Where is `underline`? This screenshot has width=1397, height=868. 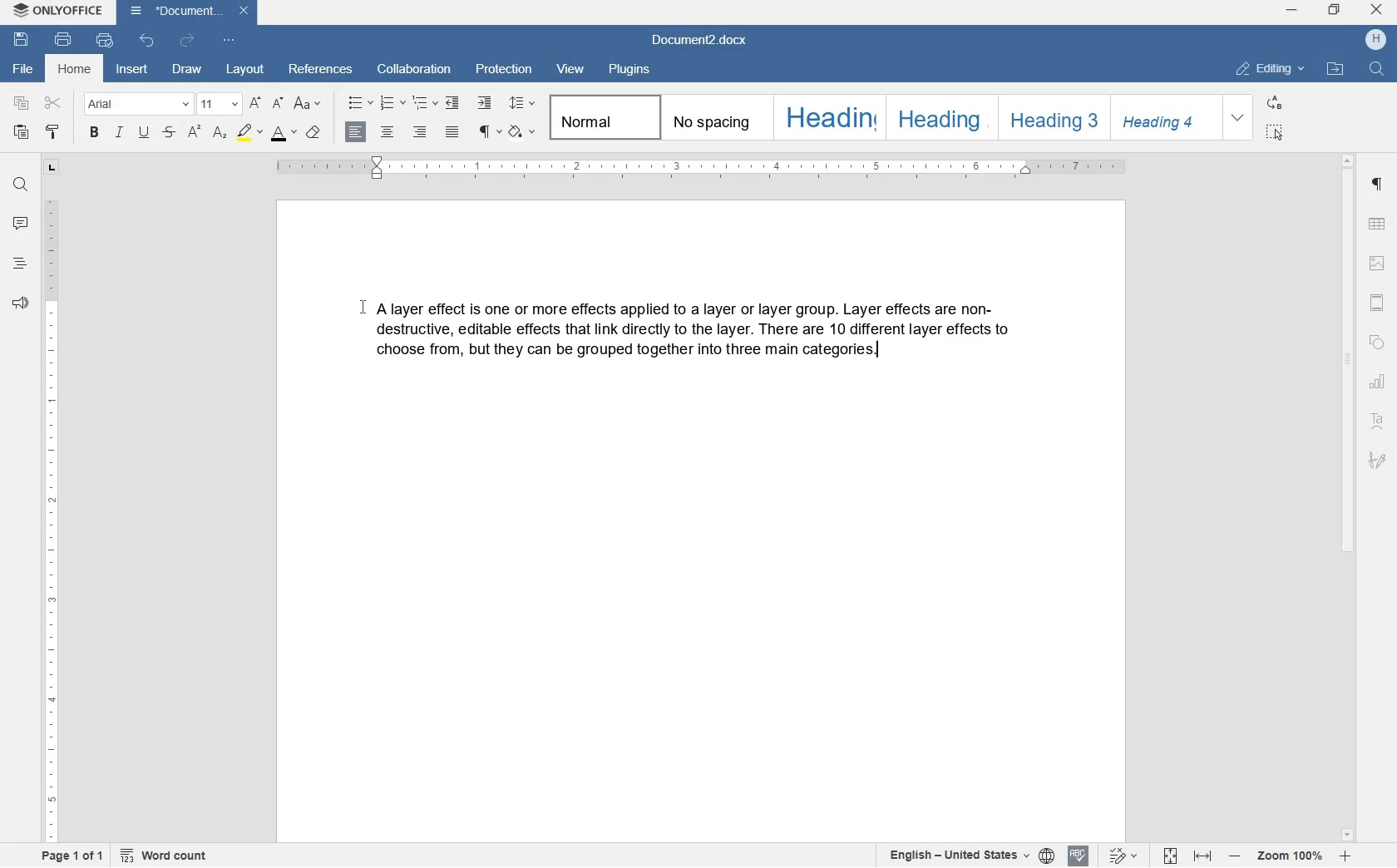 underline is located at coordinates (146, 133).